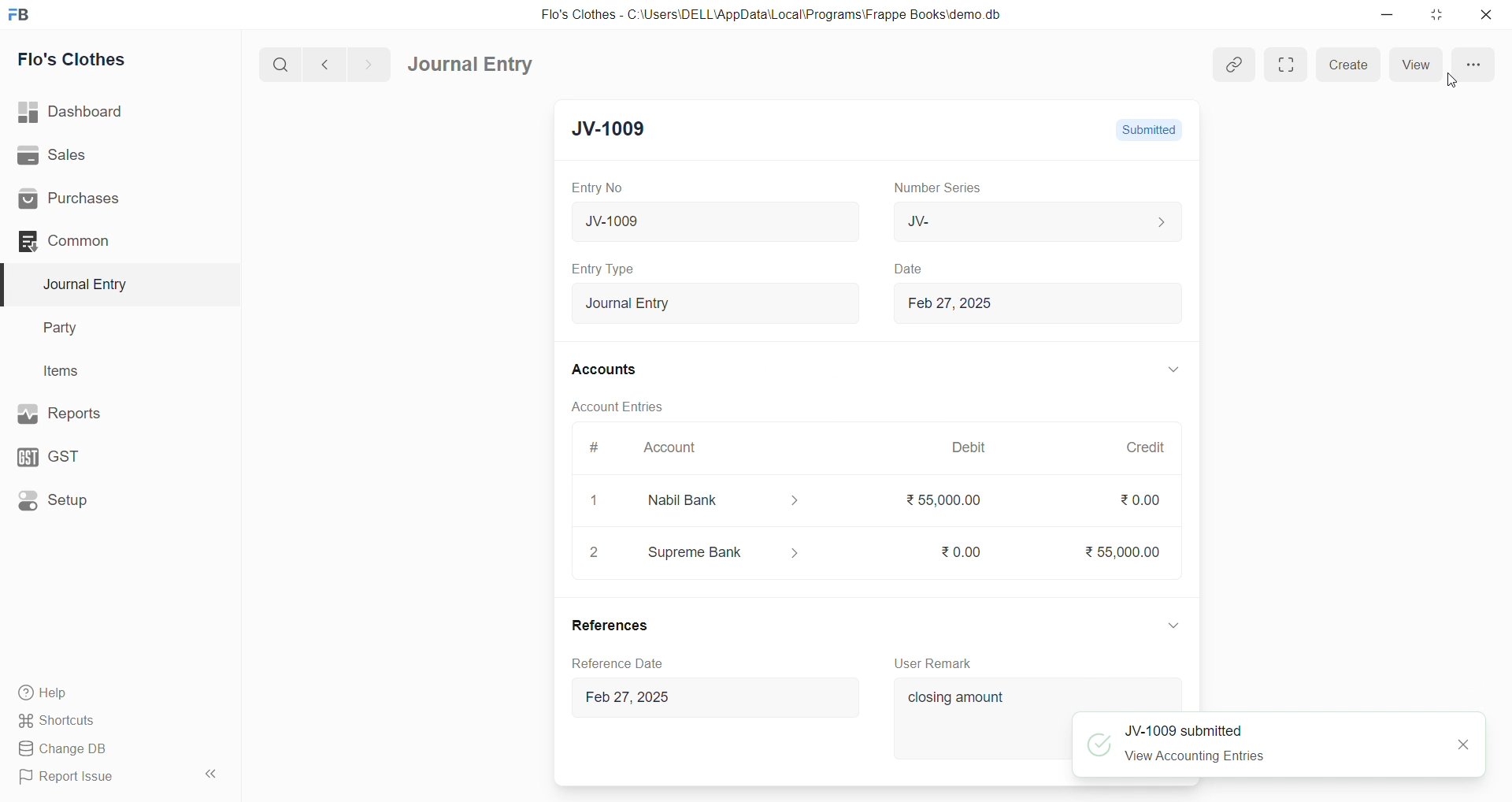 The width and height of the screenshot is (1512, 802). Describe the element at coordinates (605, 370) in the screenshot. I see `Accounts` at that location.